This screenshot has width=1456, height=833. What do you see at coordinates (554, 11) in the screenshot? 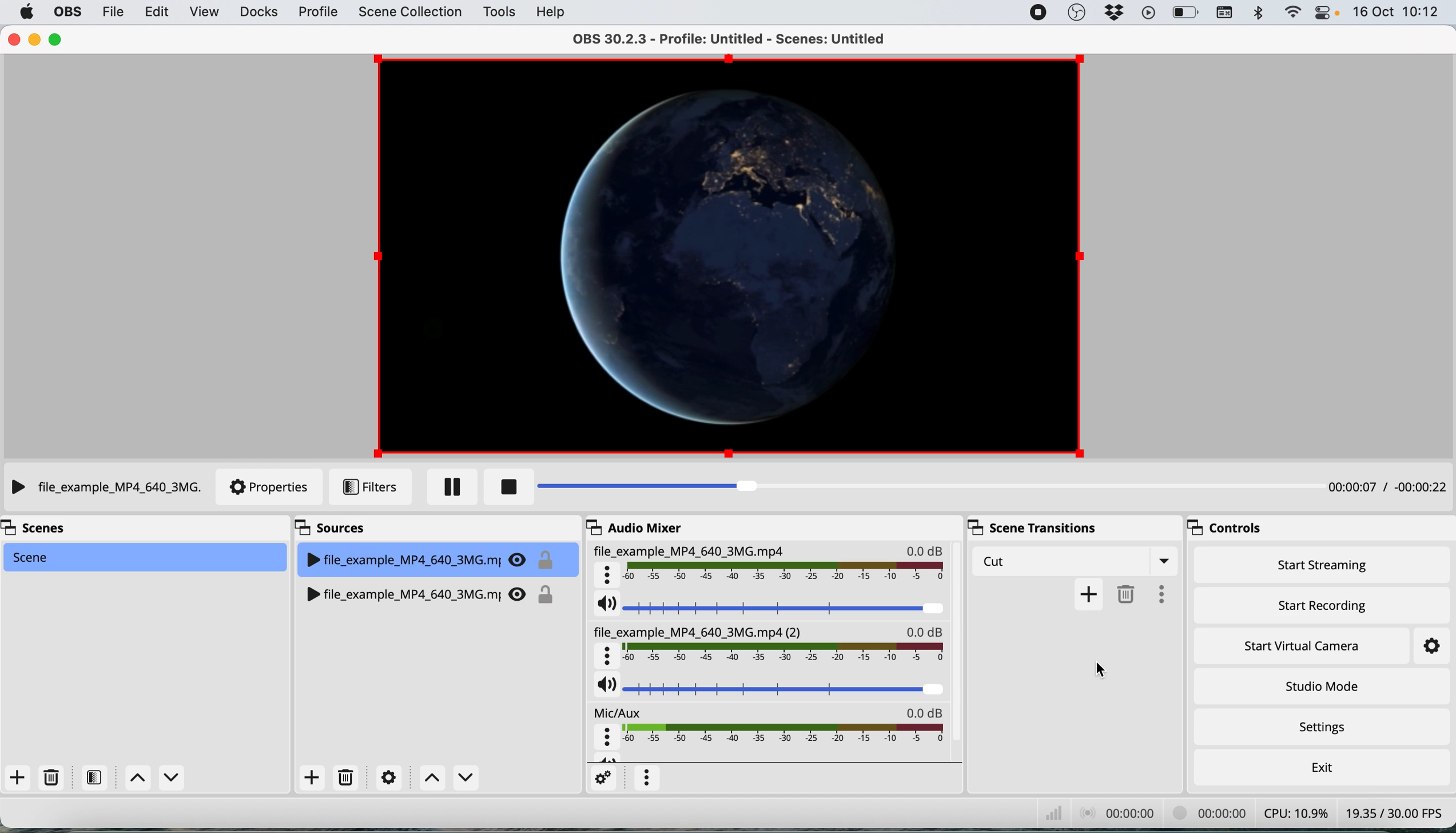
I see `help` at bounding box center [554, 11].